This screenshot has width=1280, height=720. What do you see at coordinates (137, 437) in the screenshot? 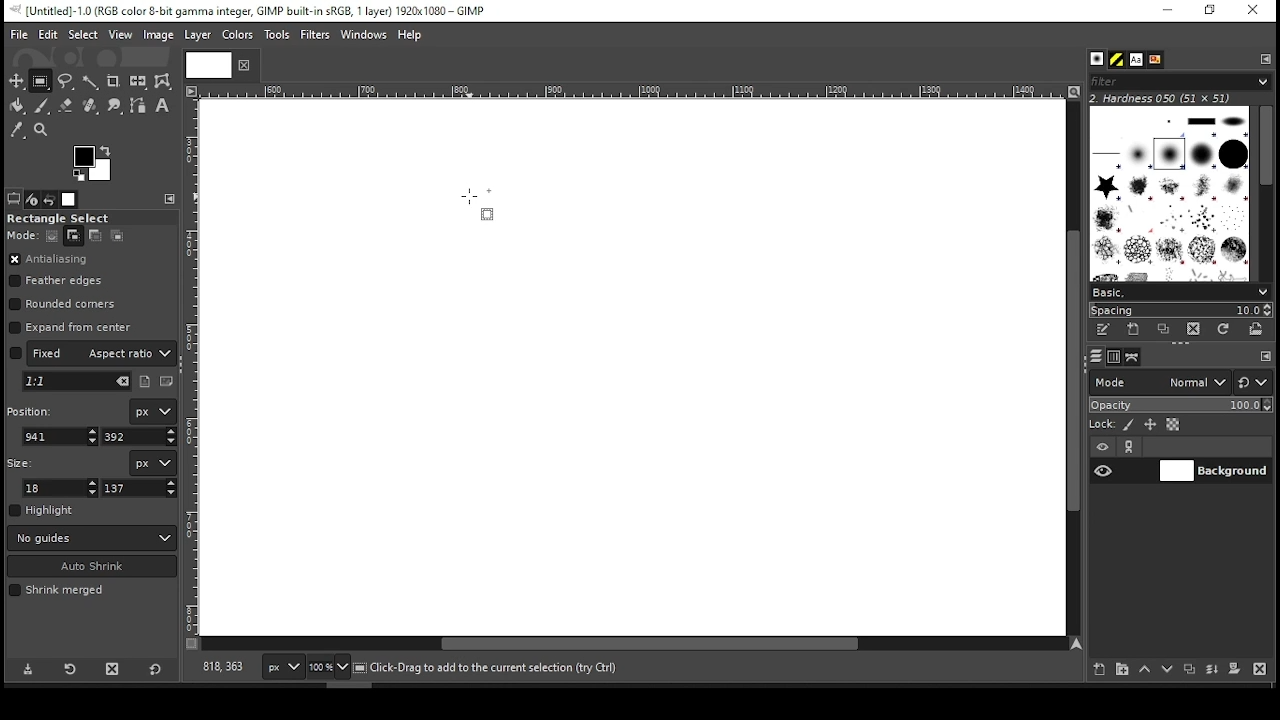
I see `y` at bounding box center [137, 437].